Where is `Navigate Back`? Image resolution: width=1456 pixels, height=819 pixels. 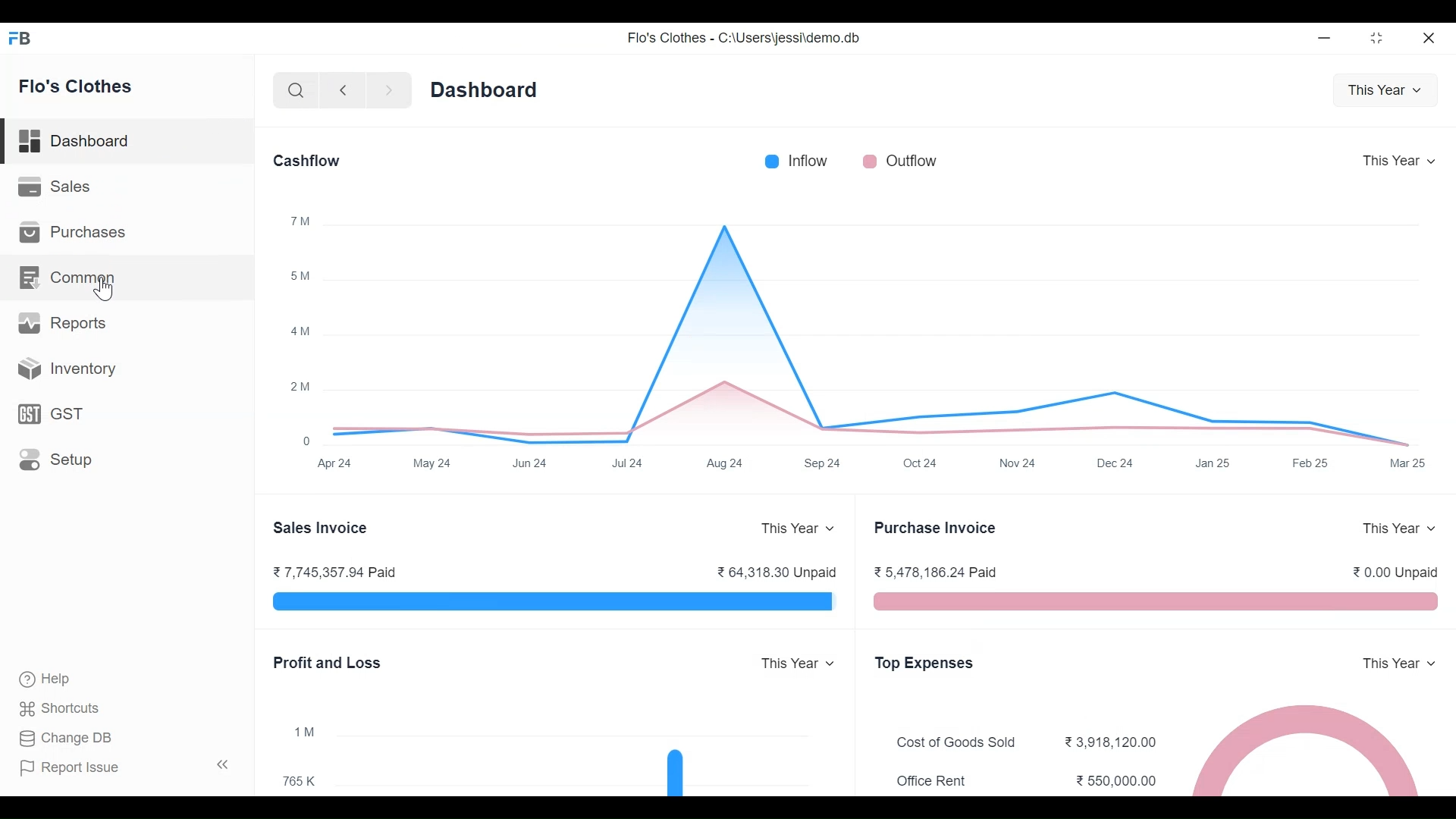 Navigate Back is located at coordinates (342, 91).